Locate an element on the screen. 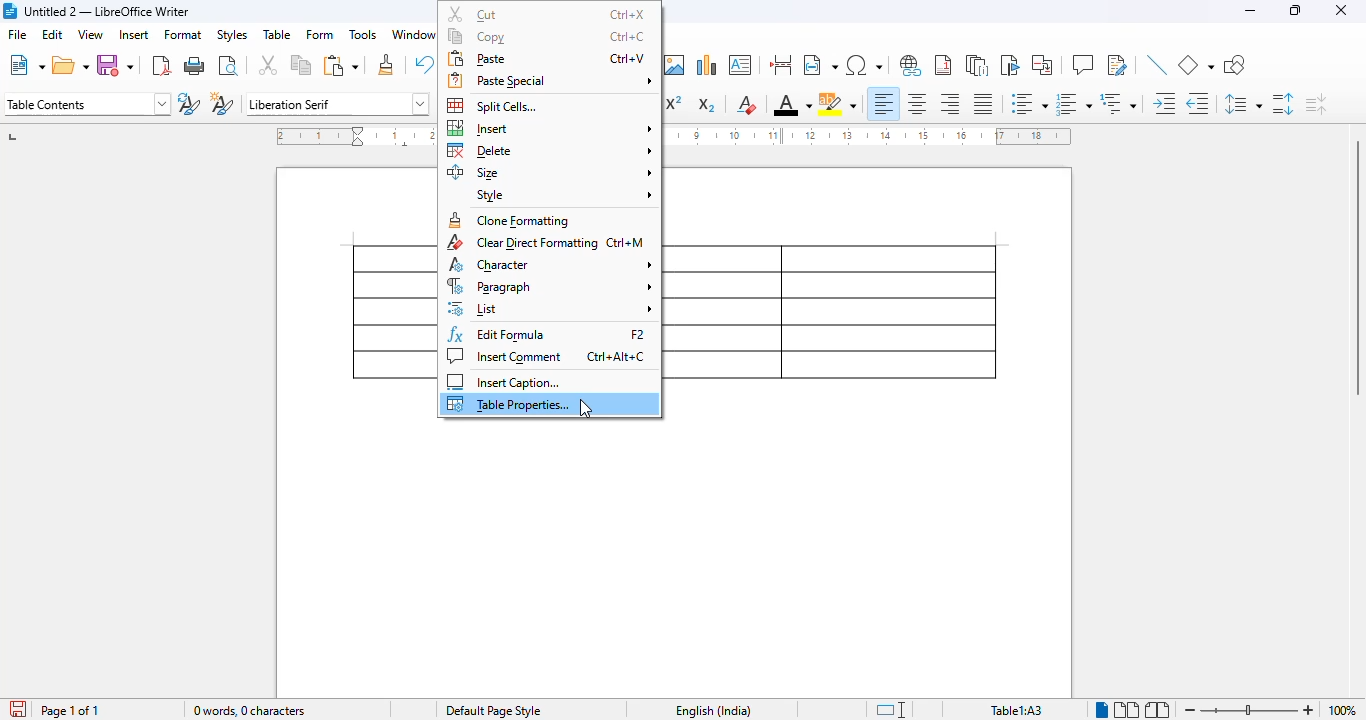  window is located at coordinates (416, 35).